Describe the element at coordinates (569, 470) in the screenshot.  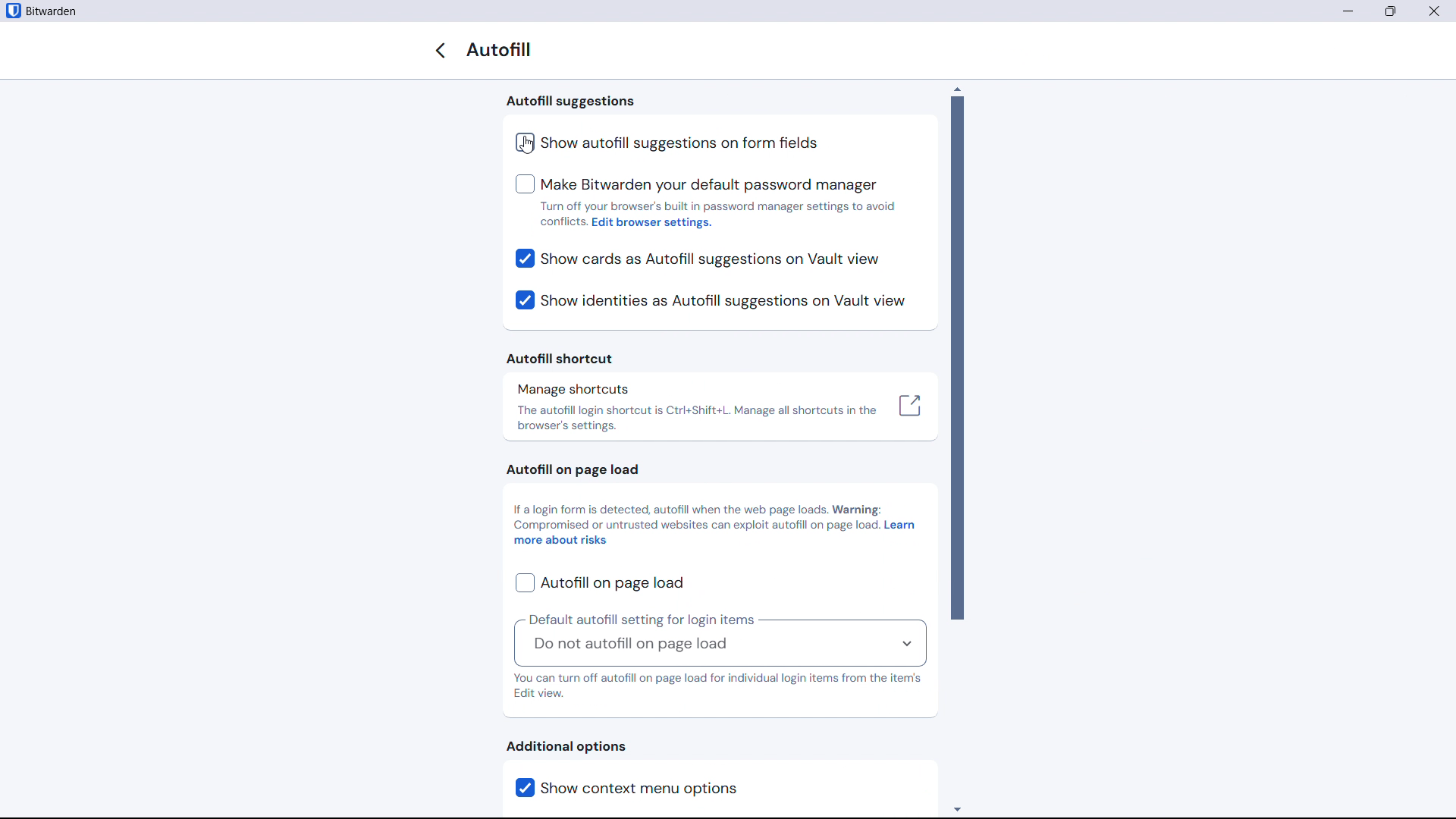
I see `Auto fill on page load ` at that location.